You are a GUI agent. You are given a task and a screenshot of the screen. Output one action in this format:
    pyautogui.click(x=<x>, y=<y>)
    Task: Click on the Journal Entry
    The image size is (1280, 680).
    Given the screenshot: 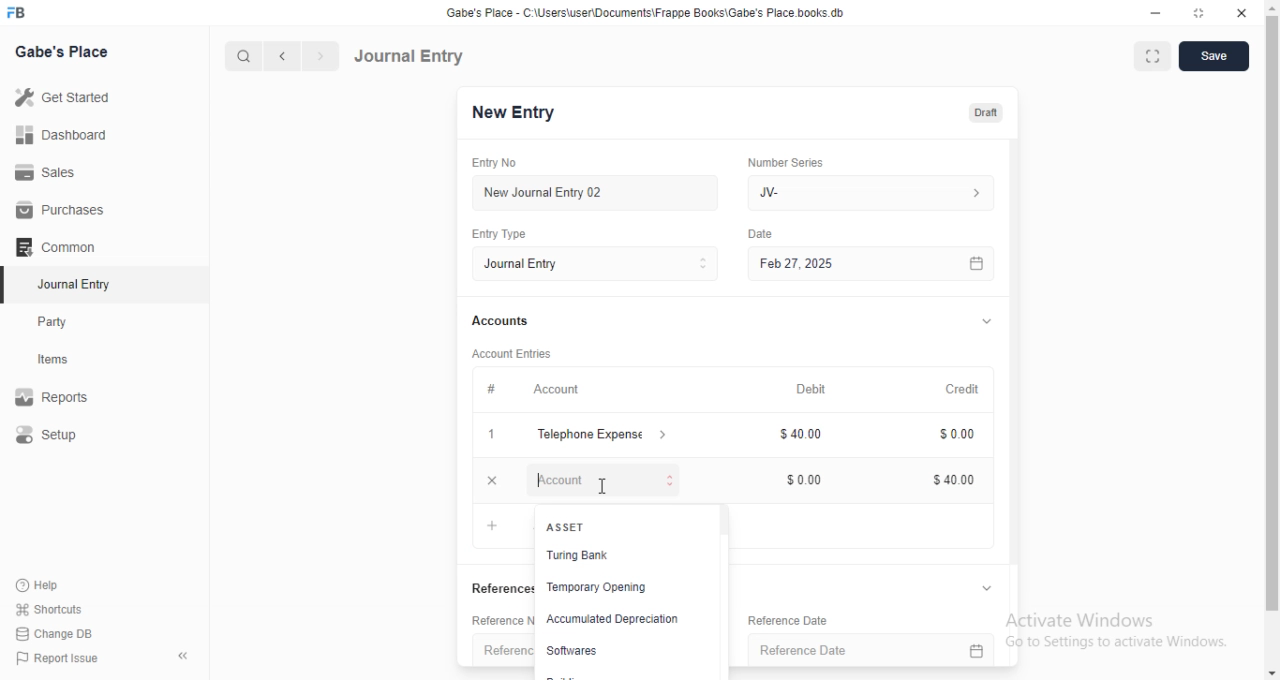 What is the action you would take?
    pyautogui.click(x=412, y=55)
    